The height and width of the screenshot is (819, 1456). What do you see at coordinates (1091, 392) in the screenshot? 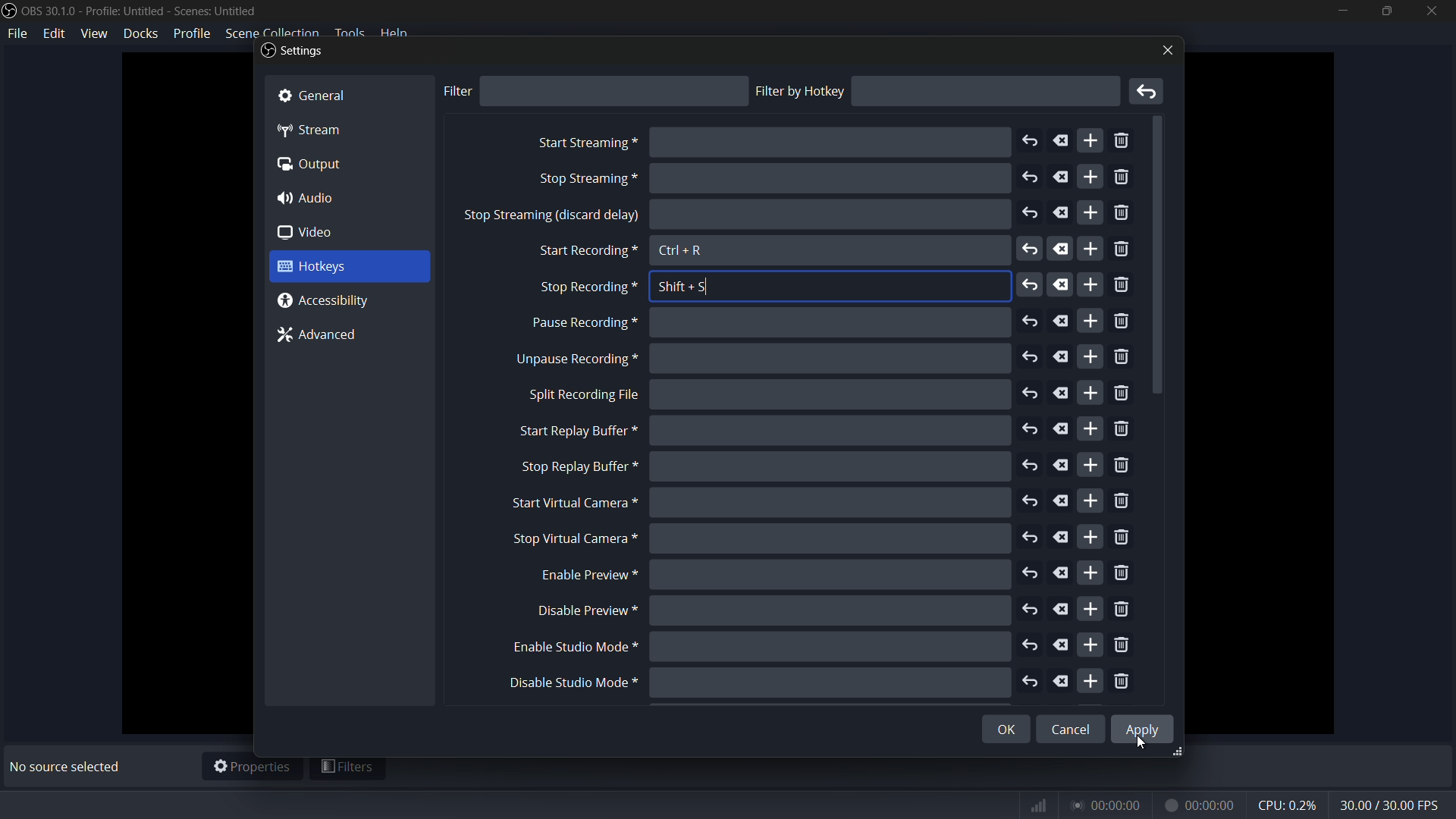
I see `add more` at bounding box center [1091, 392].